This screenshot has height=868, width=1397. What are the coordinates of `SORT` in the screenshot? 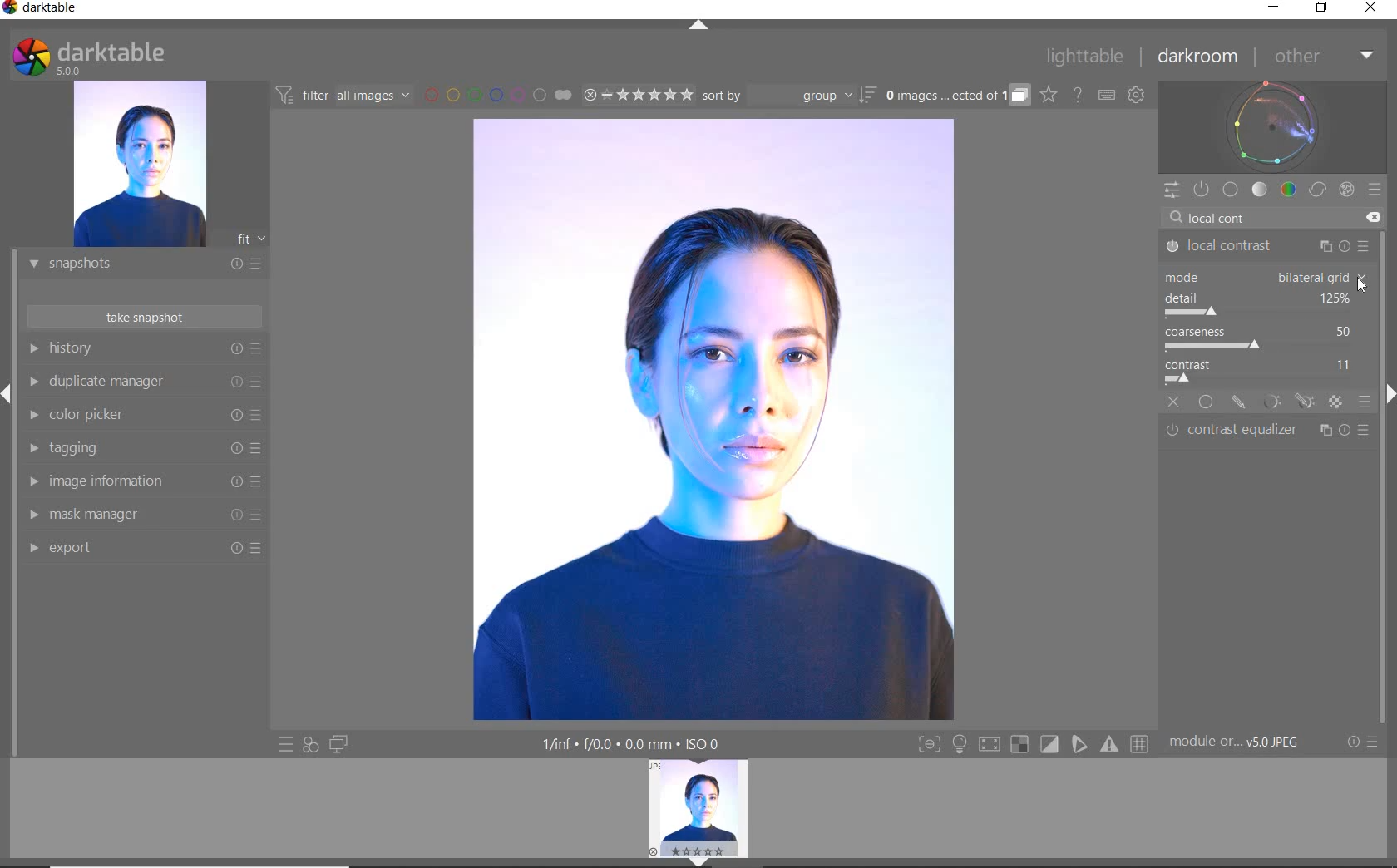 It's located at (787, 95).